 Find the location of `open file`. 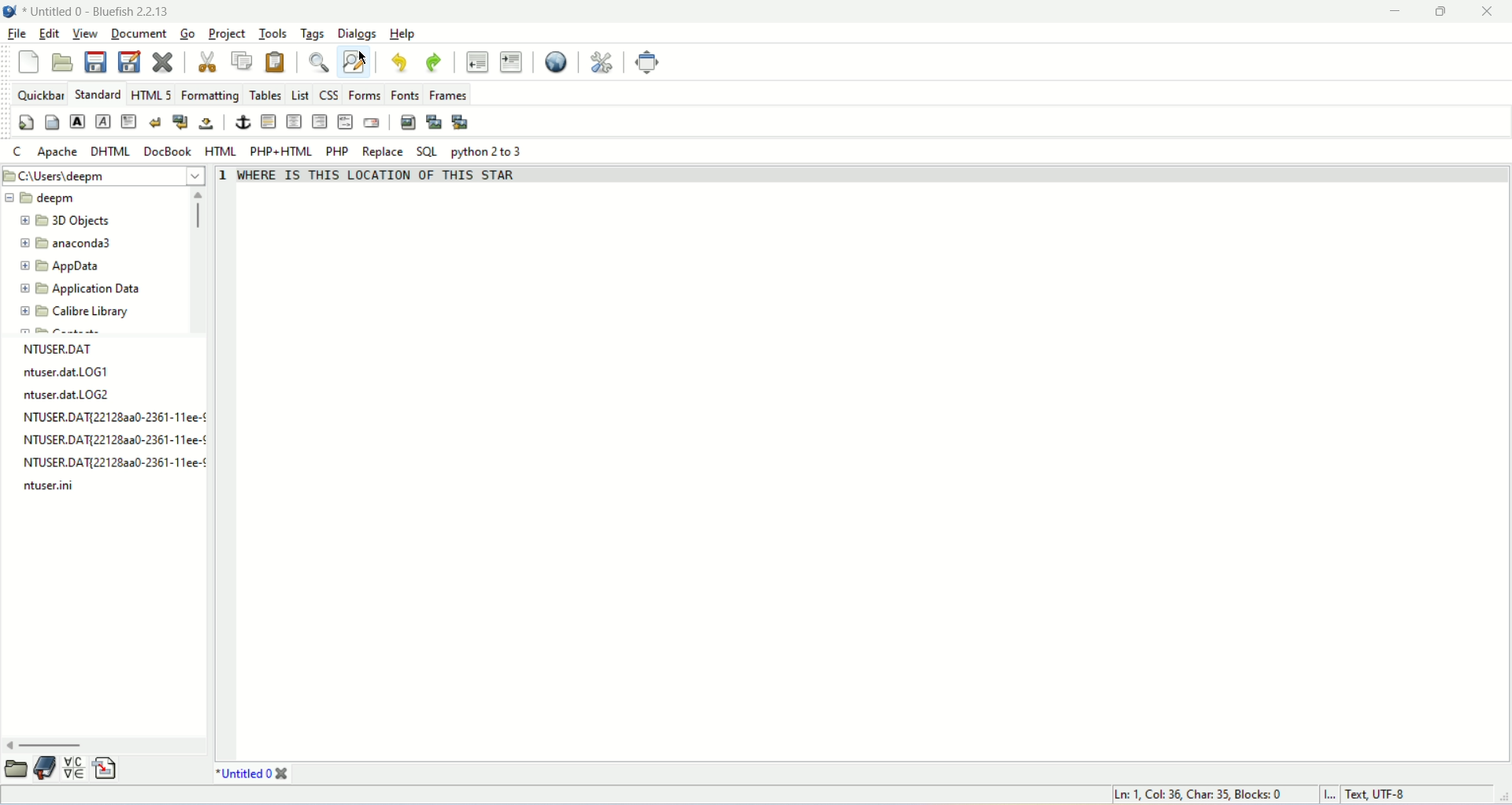

open file is located at coordinates (61, 63).